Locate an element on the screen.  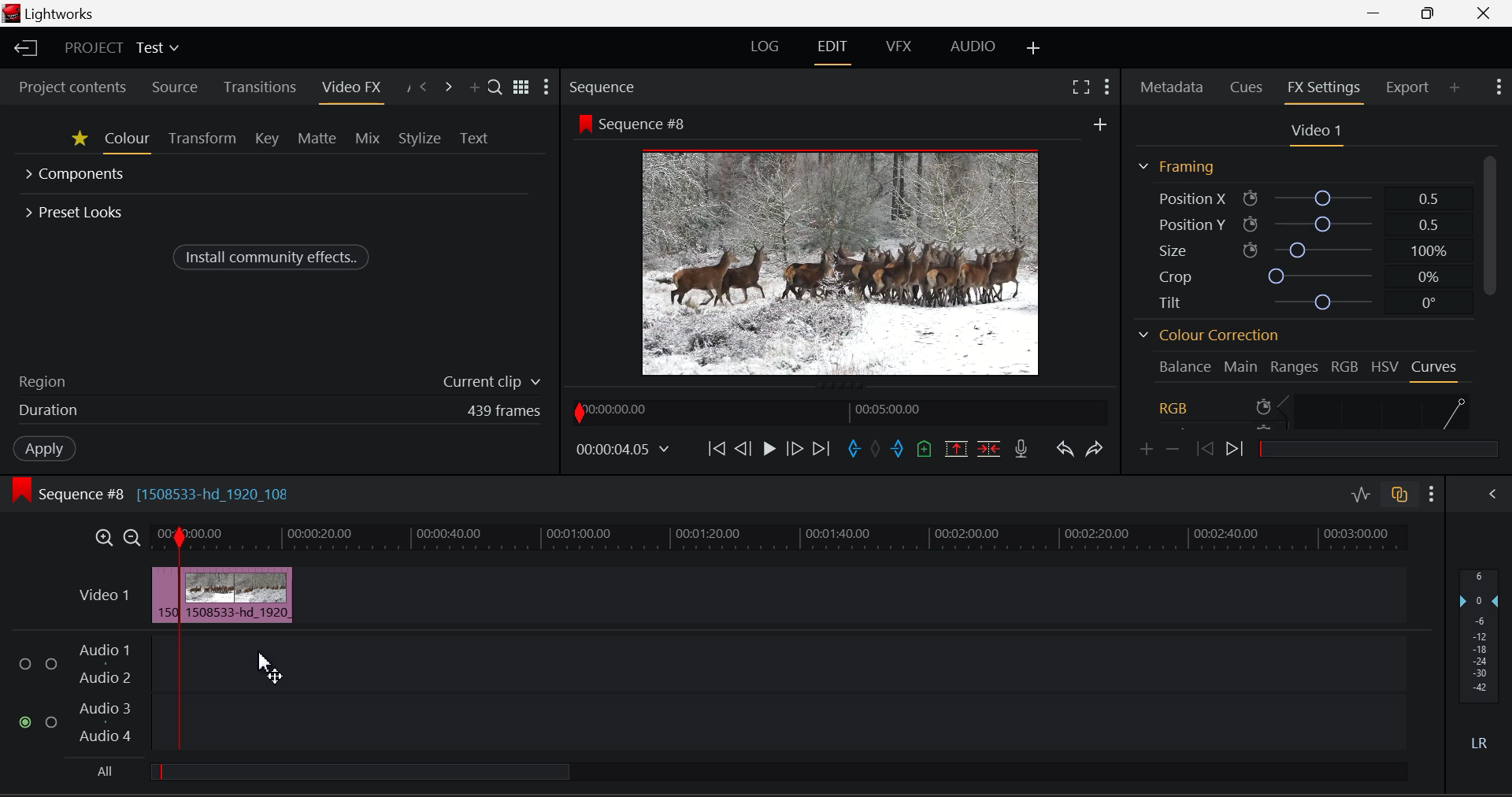
Install community effects is located at coordinates (273, 256).